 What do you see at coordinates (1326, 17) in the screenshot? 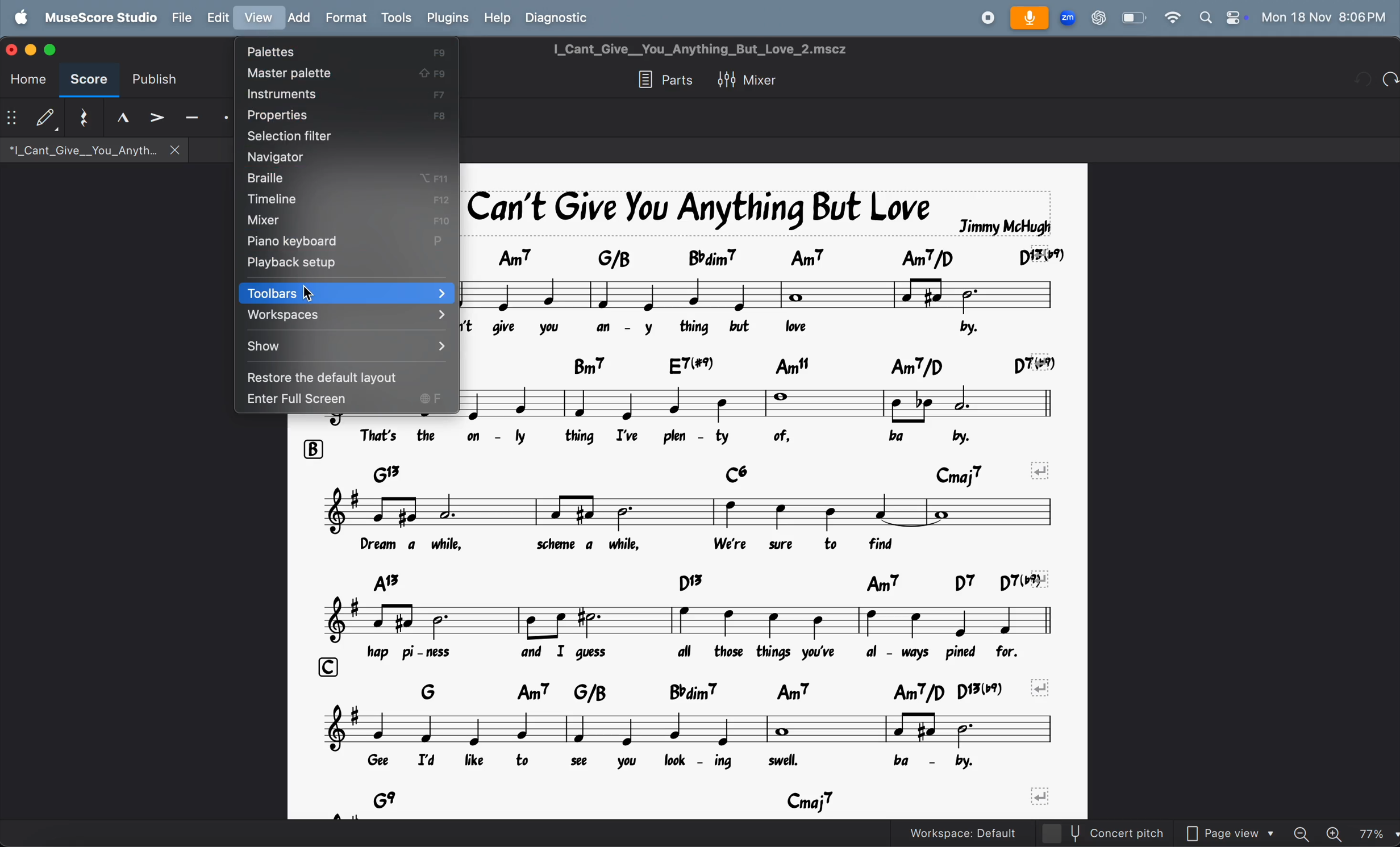
I see `date and  time` at bounding box center [1326, 17].